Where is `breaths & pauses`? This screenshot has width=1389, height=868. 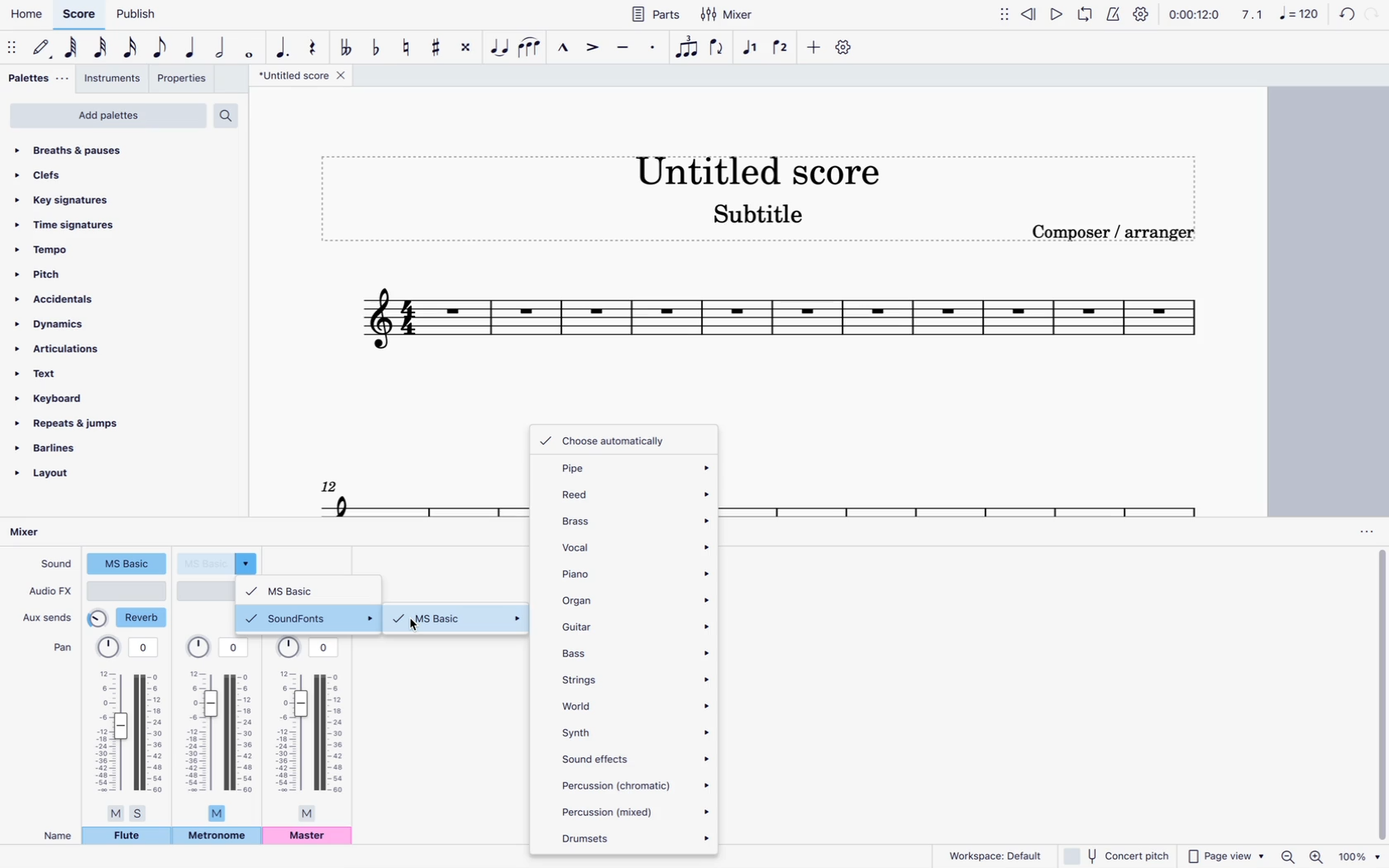 breaths & pauses is located at coordinates (120, 150).